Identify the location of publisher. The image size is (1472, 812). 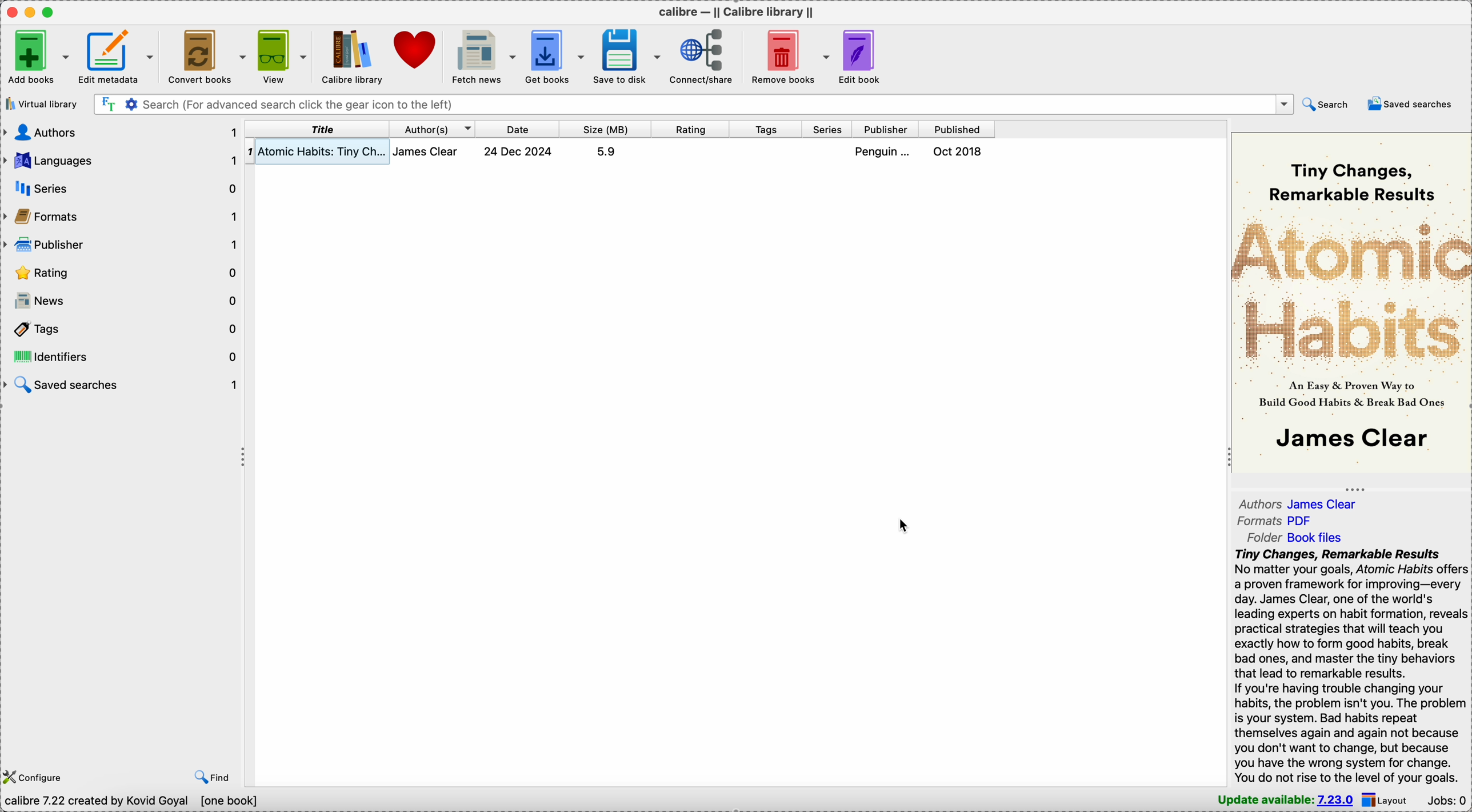
(122, 246).